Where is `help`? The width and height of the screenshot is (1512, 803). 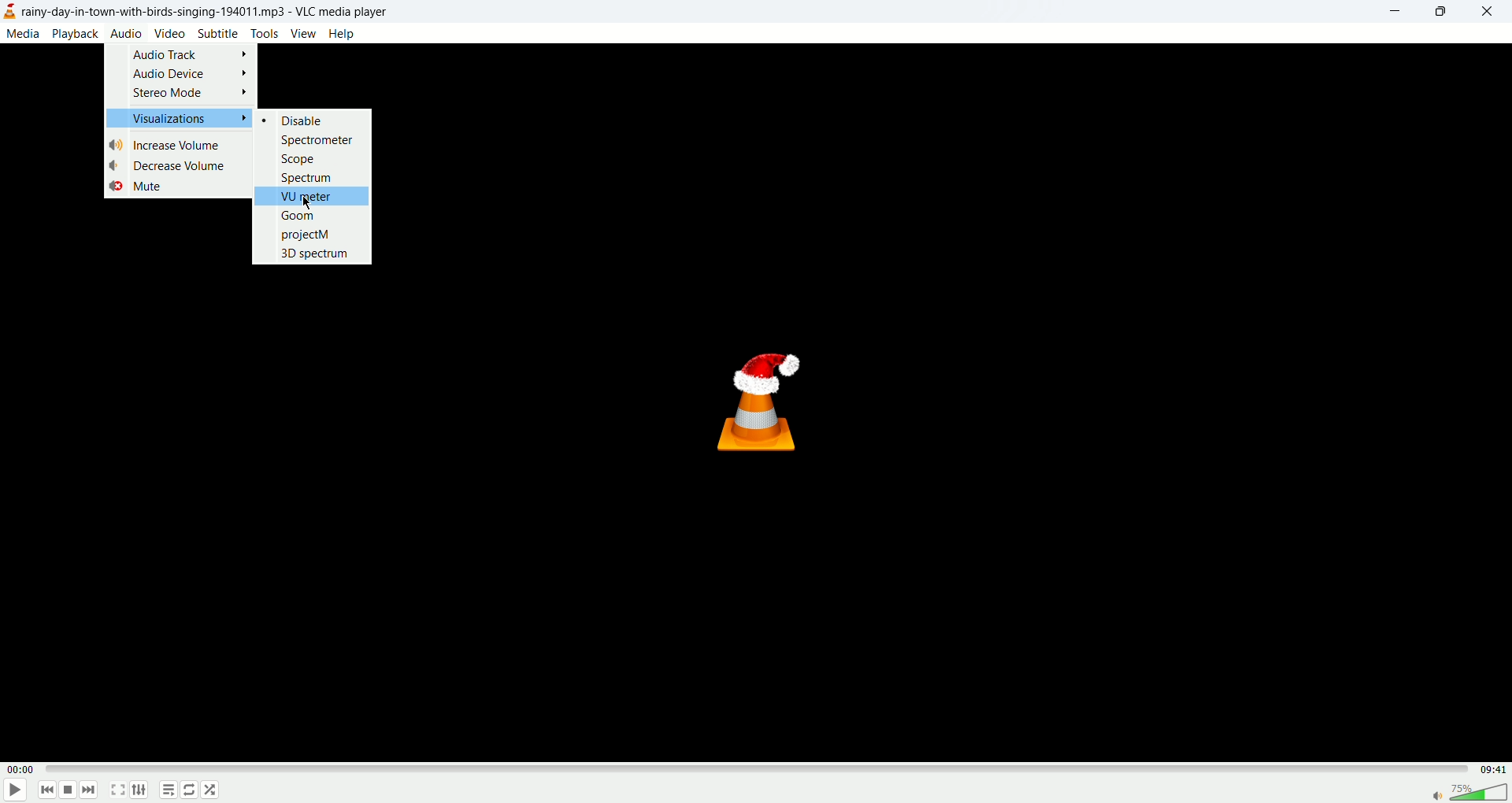
help is located at coordinates (341, 34).